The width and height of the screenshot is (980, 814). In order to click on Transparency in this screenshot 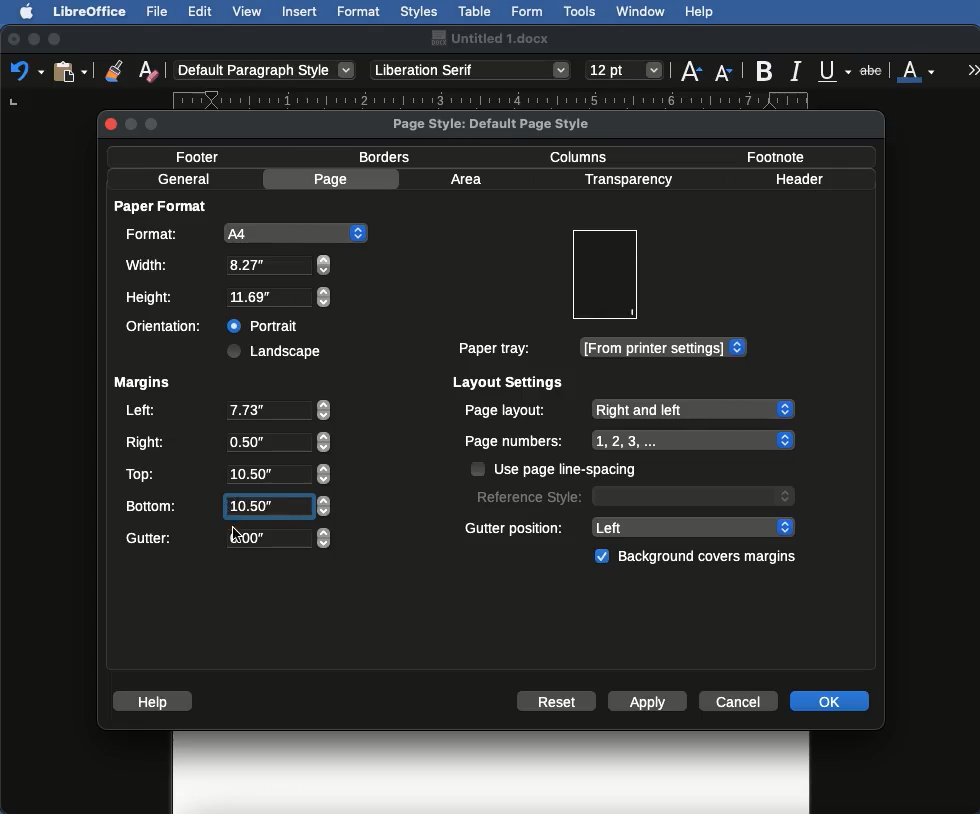, I will do `click(627, 180)`.